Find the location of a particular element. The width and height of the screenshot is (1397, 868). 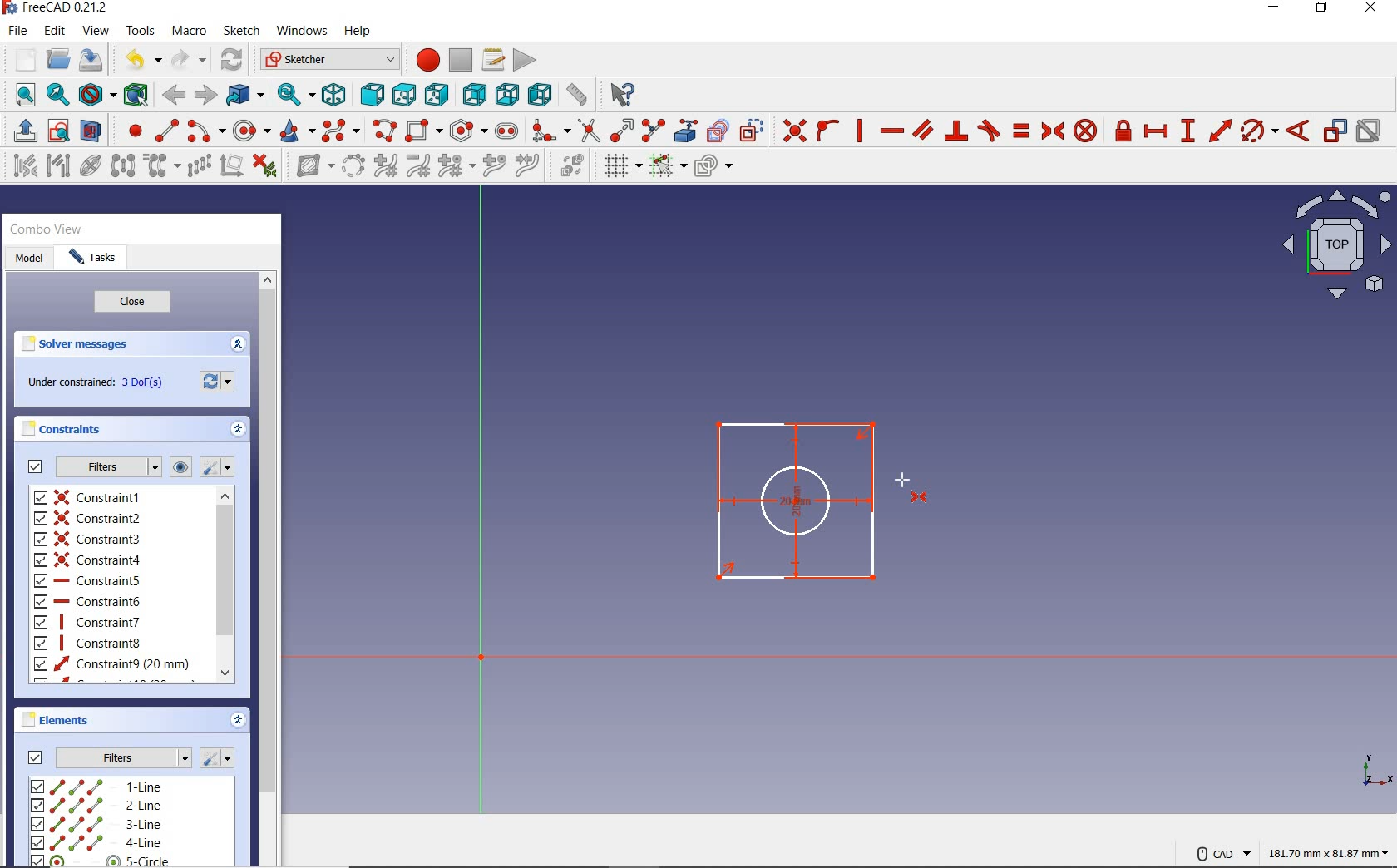

open is located at coordinates (58, 57).